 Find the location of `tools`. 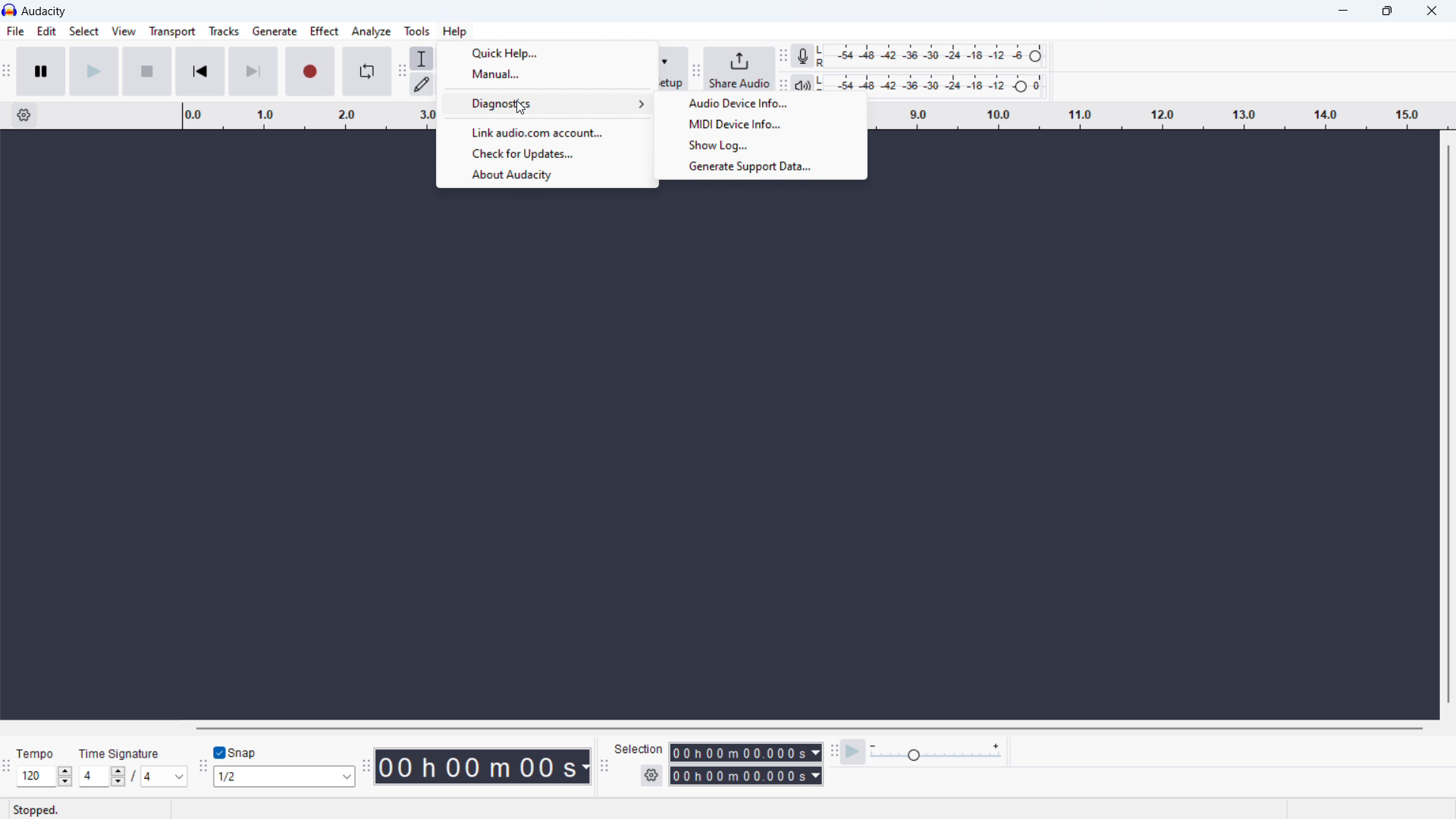

tools is located at coordinates (415, 31).